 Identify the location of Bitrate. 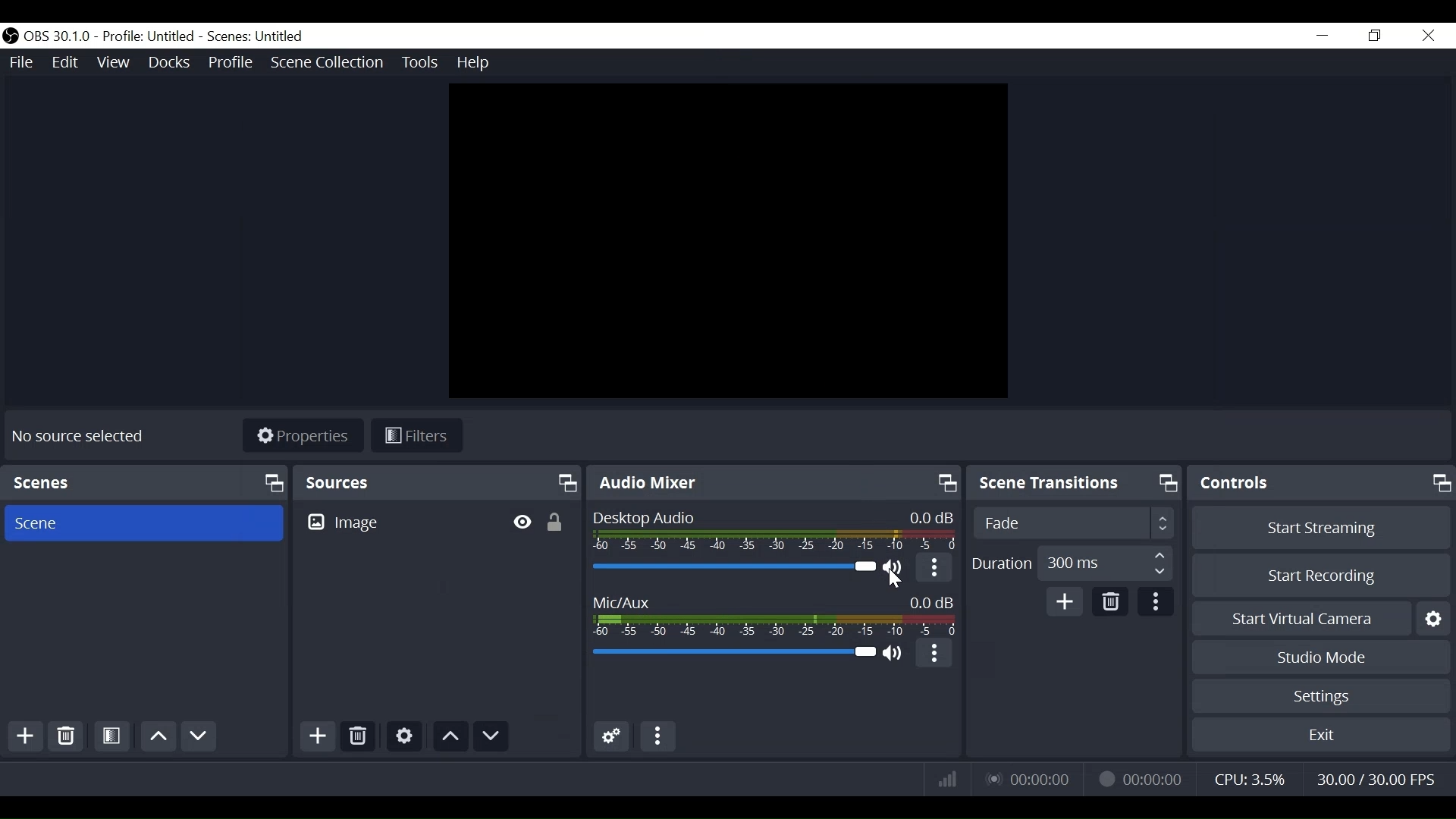
(944, 779).